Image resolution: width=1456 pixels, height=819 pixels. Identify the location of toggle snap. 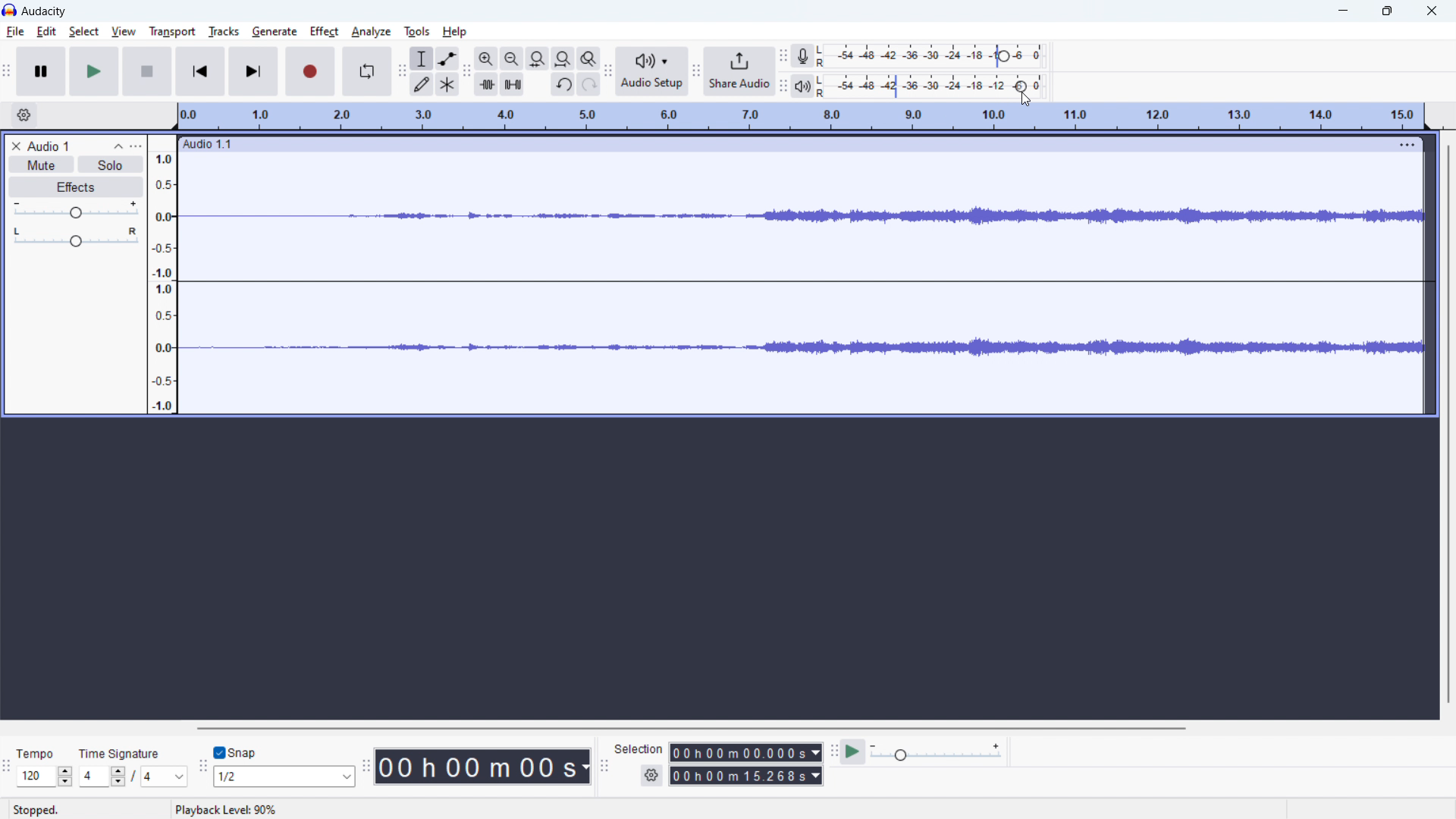
(236, 753).